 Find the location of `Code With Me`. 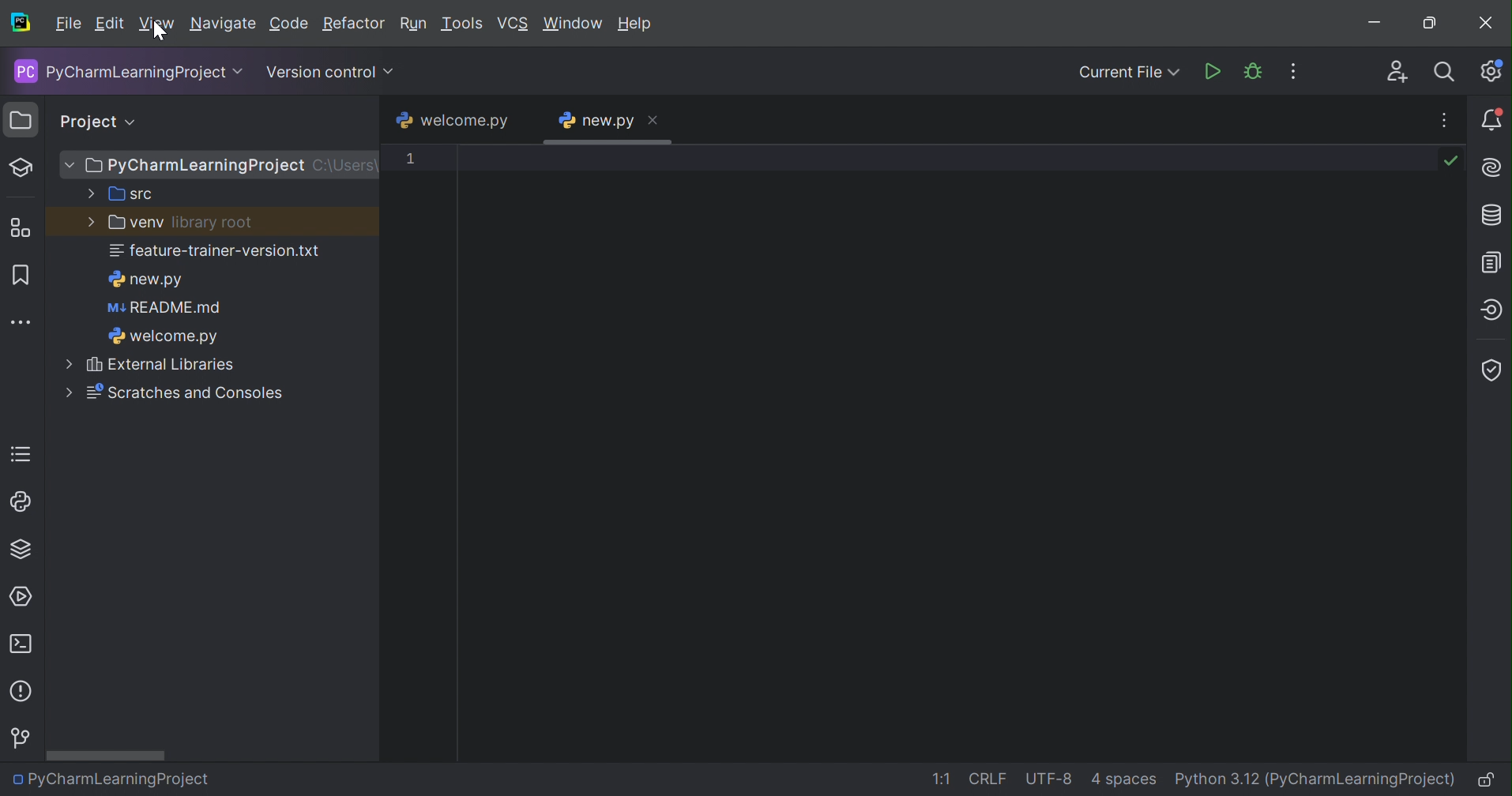

Code With Me is located at coordinates (1397, 71).